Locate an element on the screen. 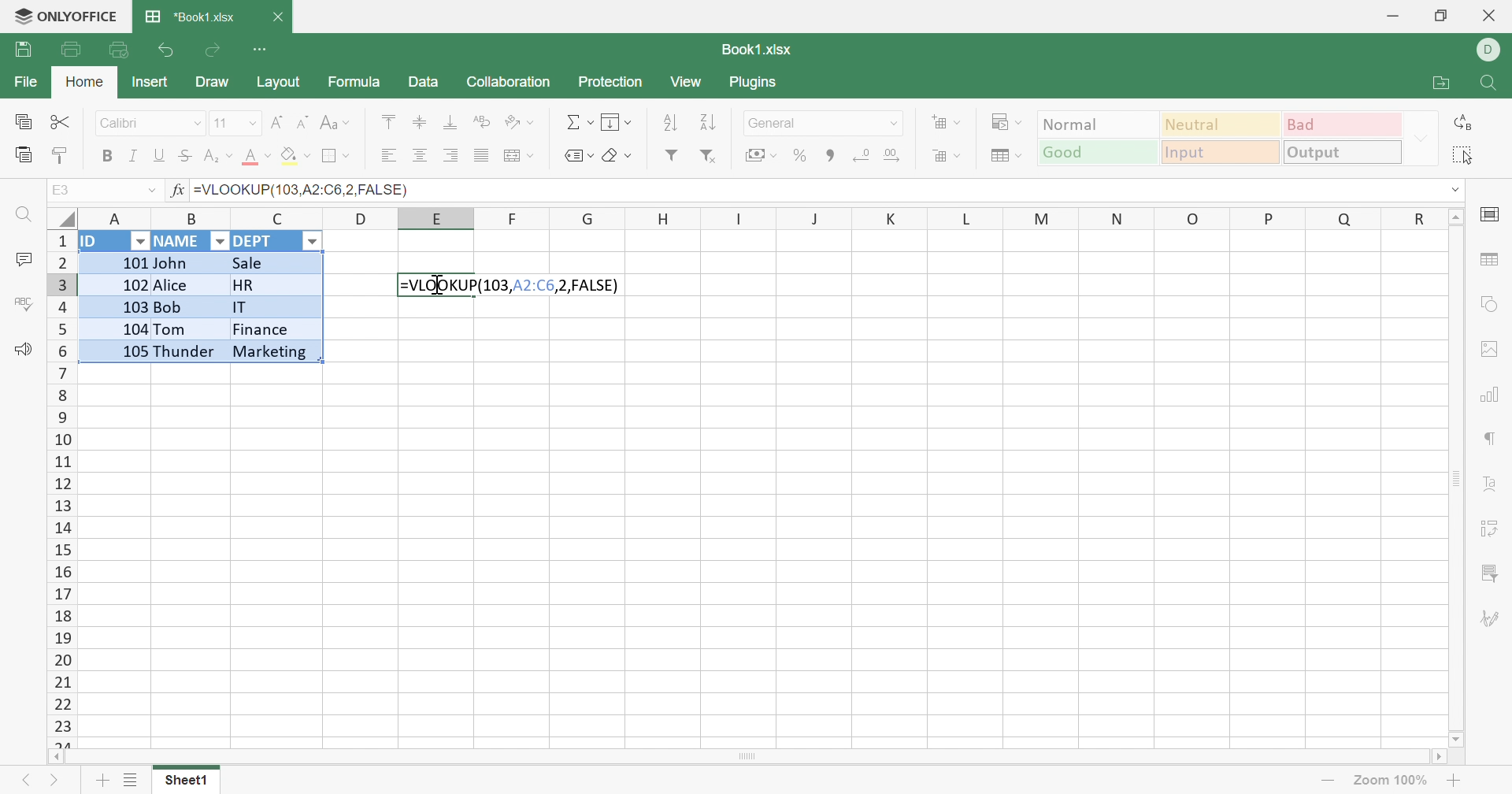 The height and width of the screenshot is (794, 1512). 102 is located at coordinates (120, 283).